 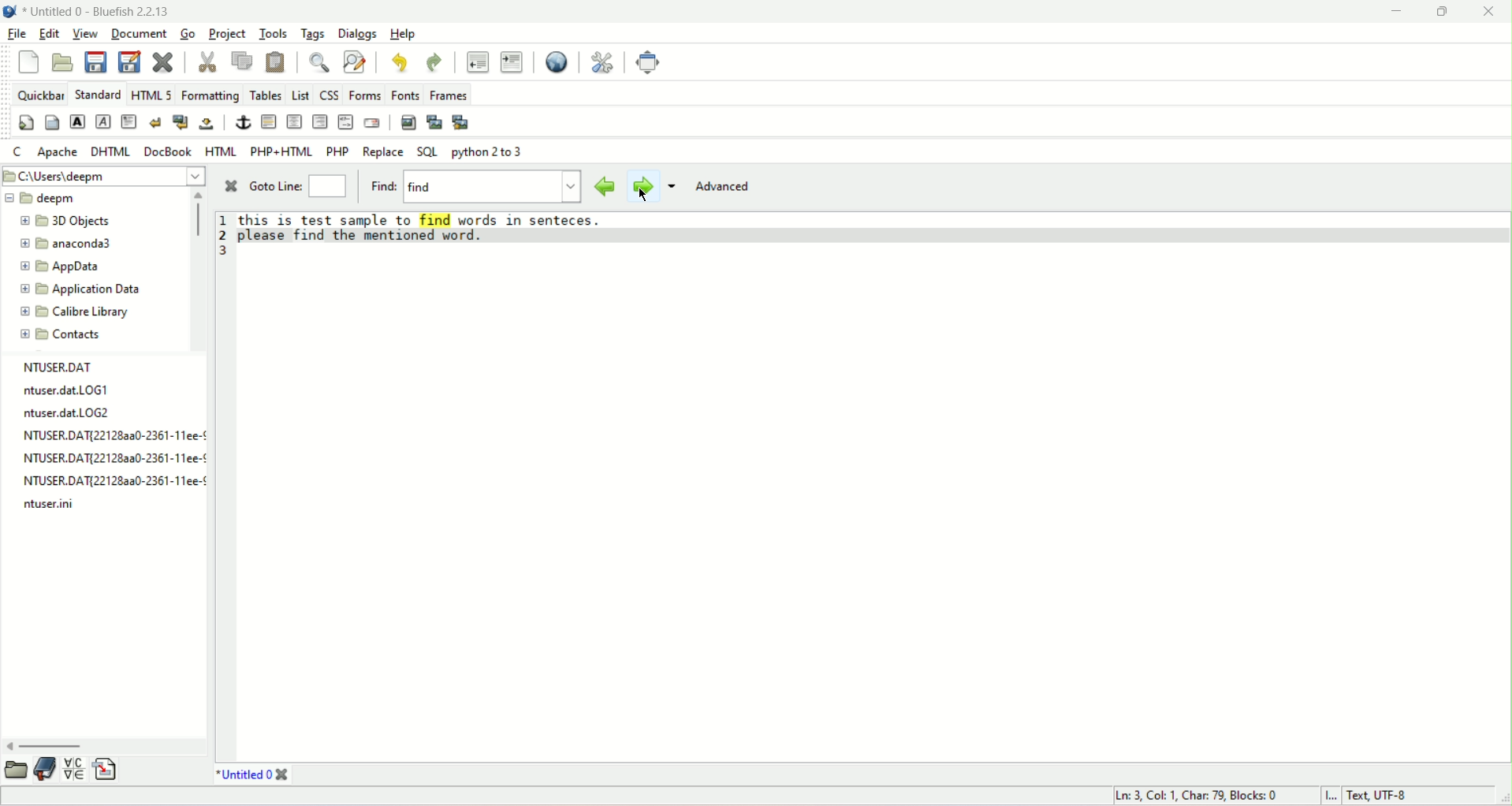 What do you see at coordinates (296, 96) in the screenshot?
I see `list` at bounding box center [296, 96].